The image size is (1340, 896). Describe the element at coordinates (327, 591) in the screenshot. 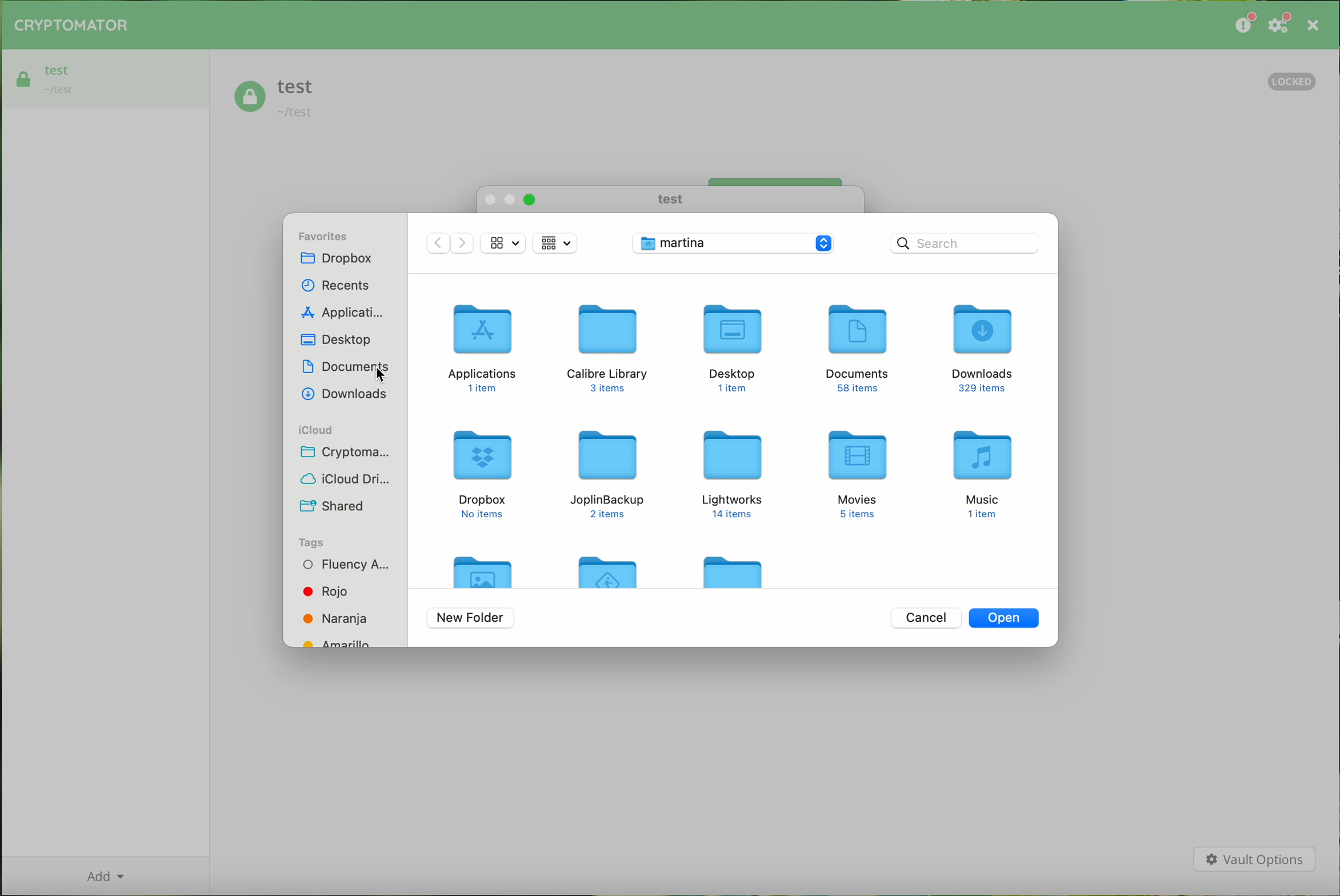

I see `red` at that location.